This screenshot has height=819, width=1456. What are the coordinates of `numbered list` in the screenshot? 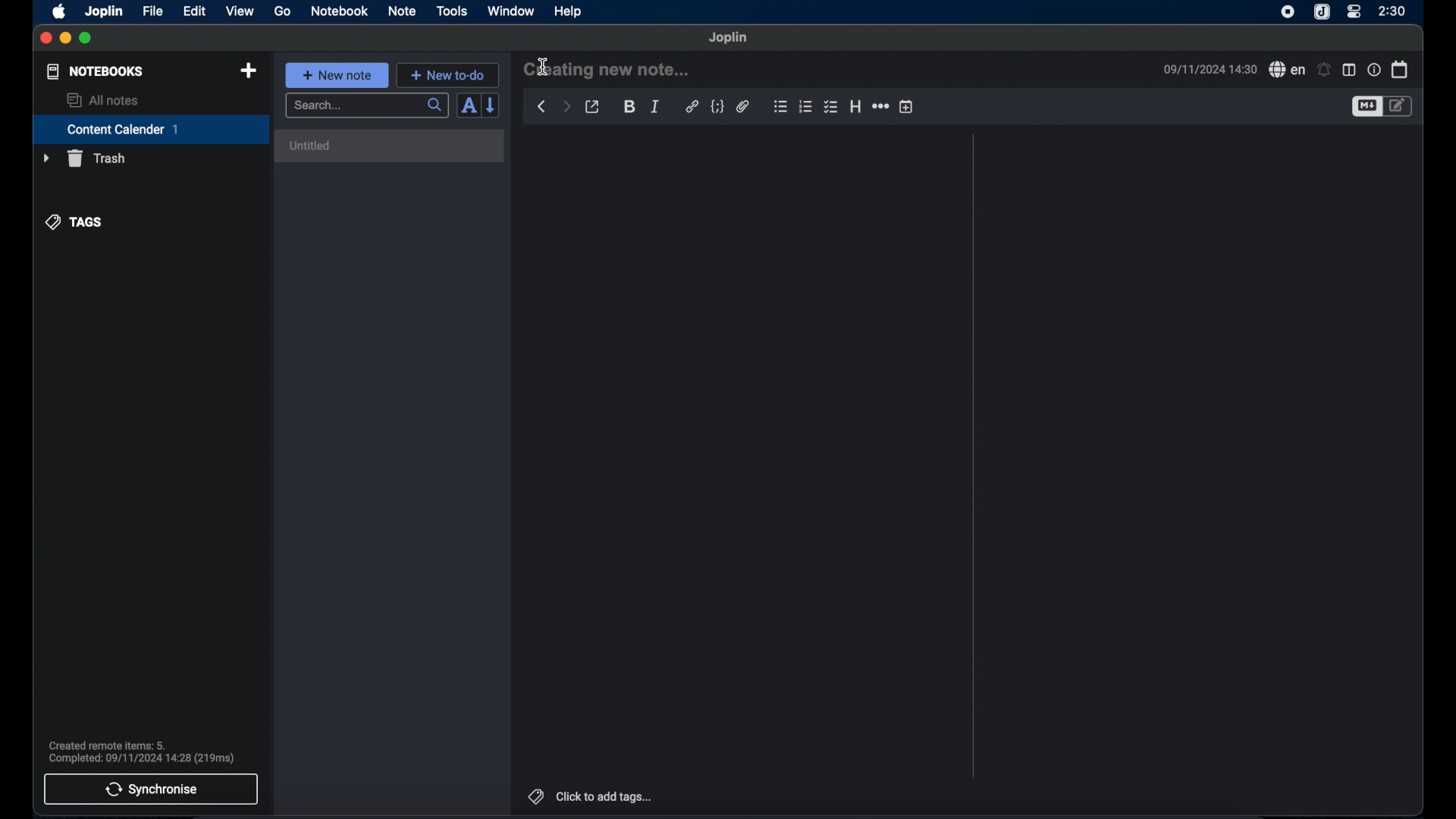 It's located at (805, 107).